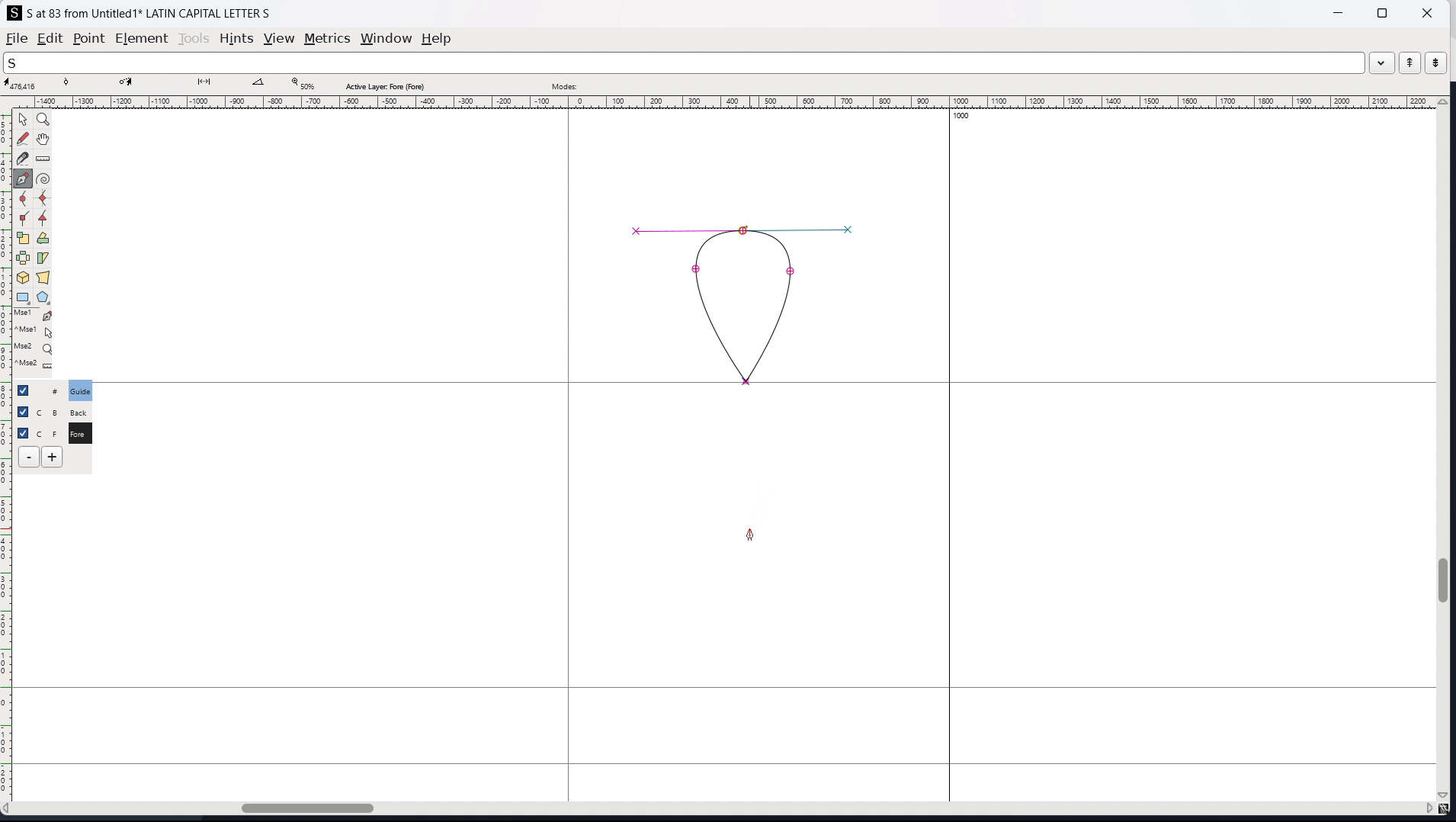 This screenshot has width=1456, height=822. I want to click on selection toggle, so click(24, 432).